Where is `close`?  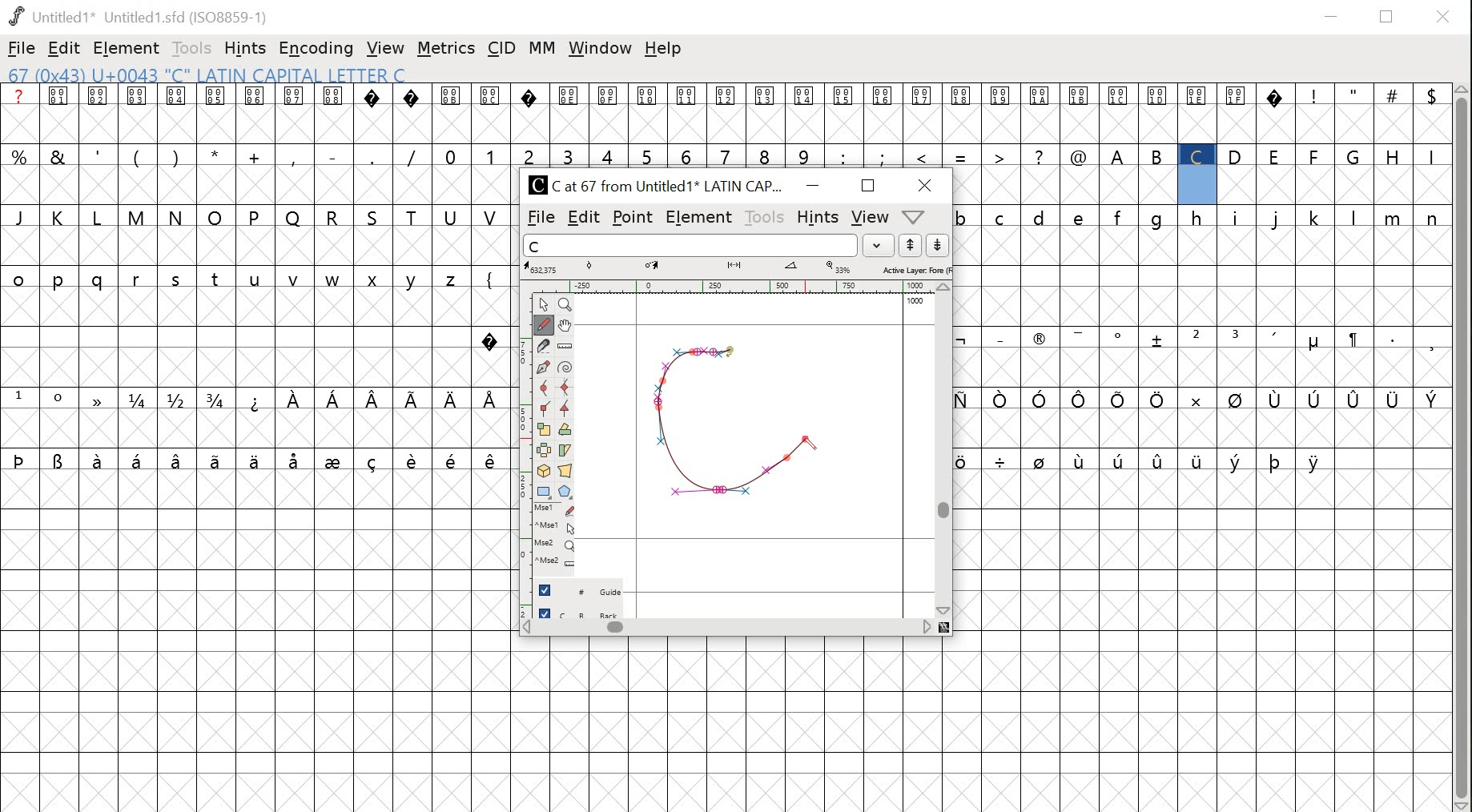
close is located at coordinates (1445, 16).